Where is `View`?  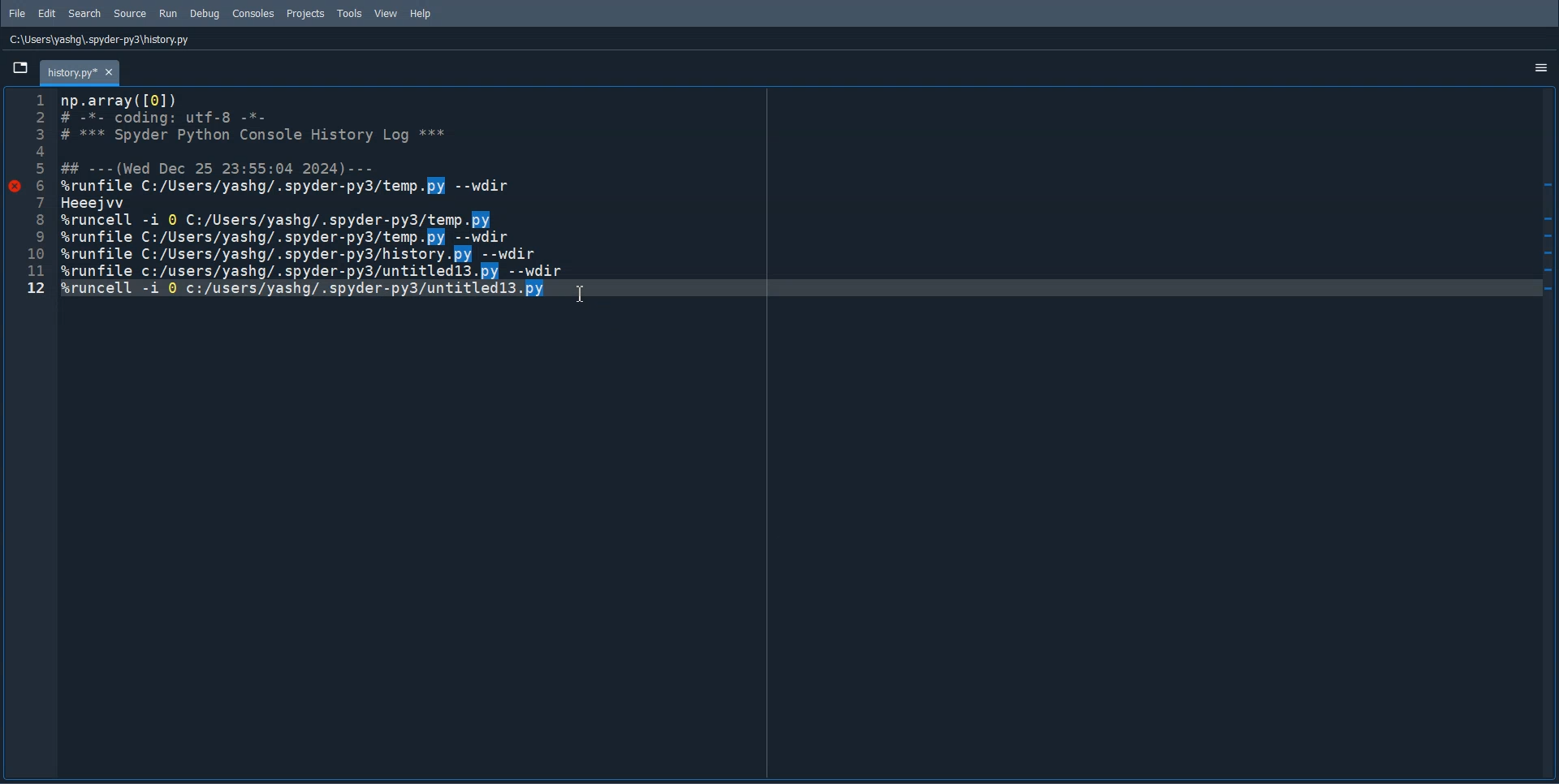
View is located at coordinates (387, 13).